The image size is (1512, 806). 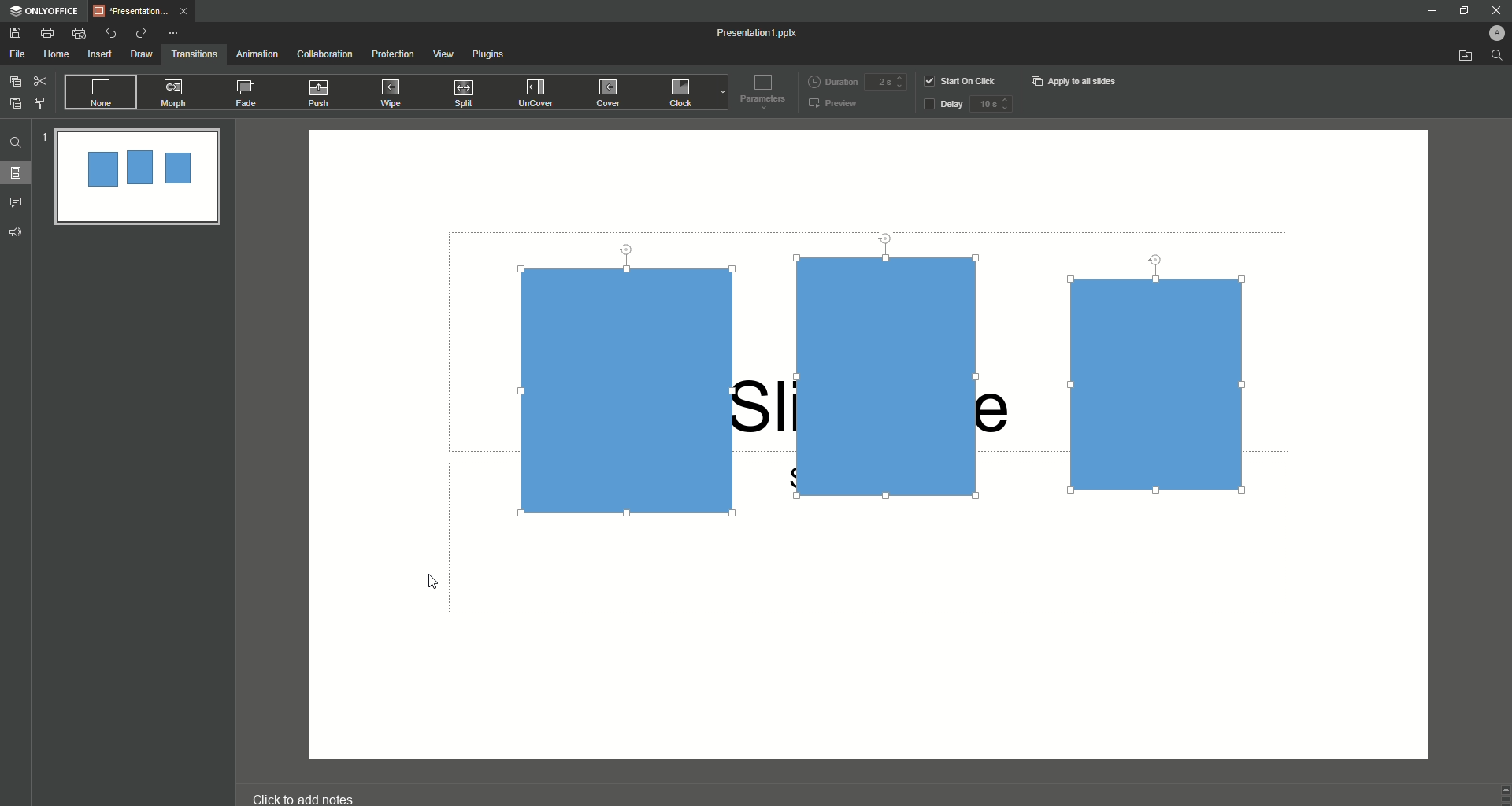 I want to click on Home, so click(x=57, y=55).